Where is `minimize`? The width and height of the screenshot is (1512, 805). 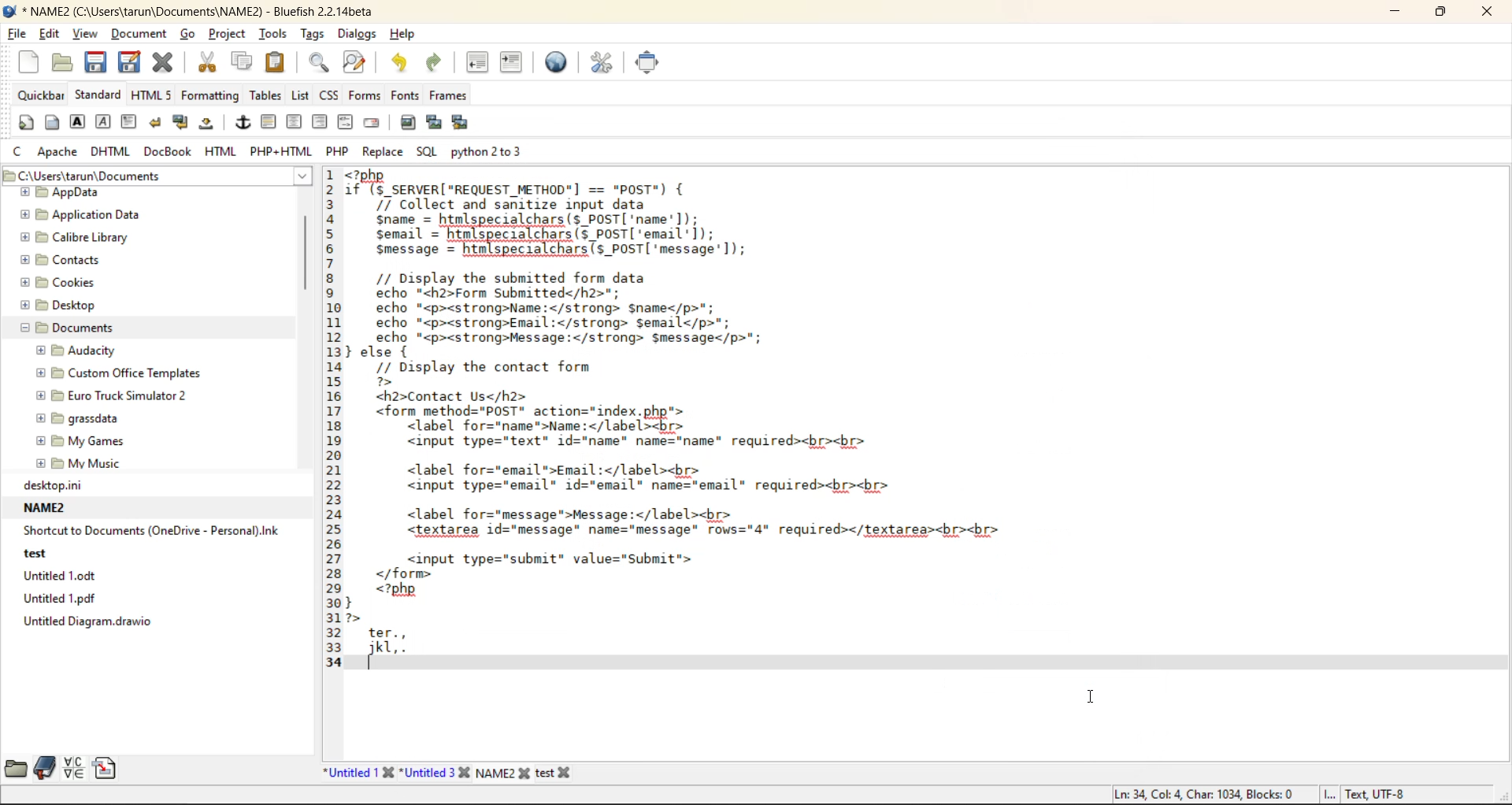
minimize is located at coordinates (1399, 15).